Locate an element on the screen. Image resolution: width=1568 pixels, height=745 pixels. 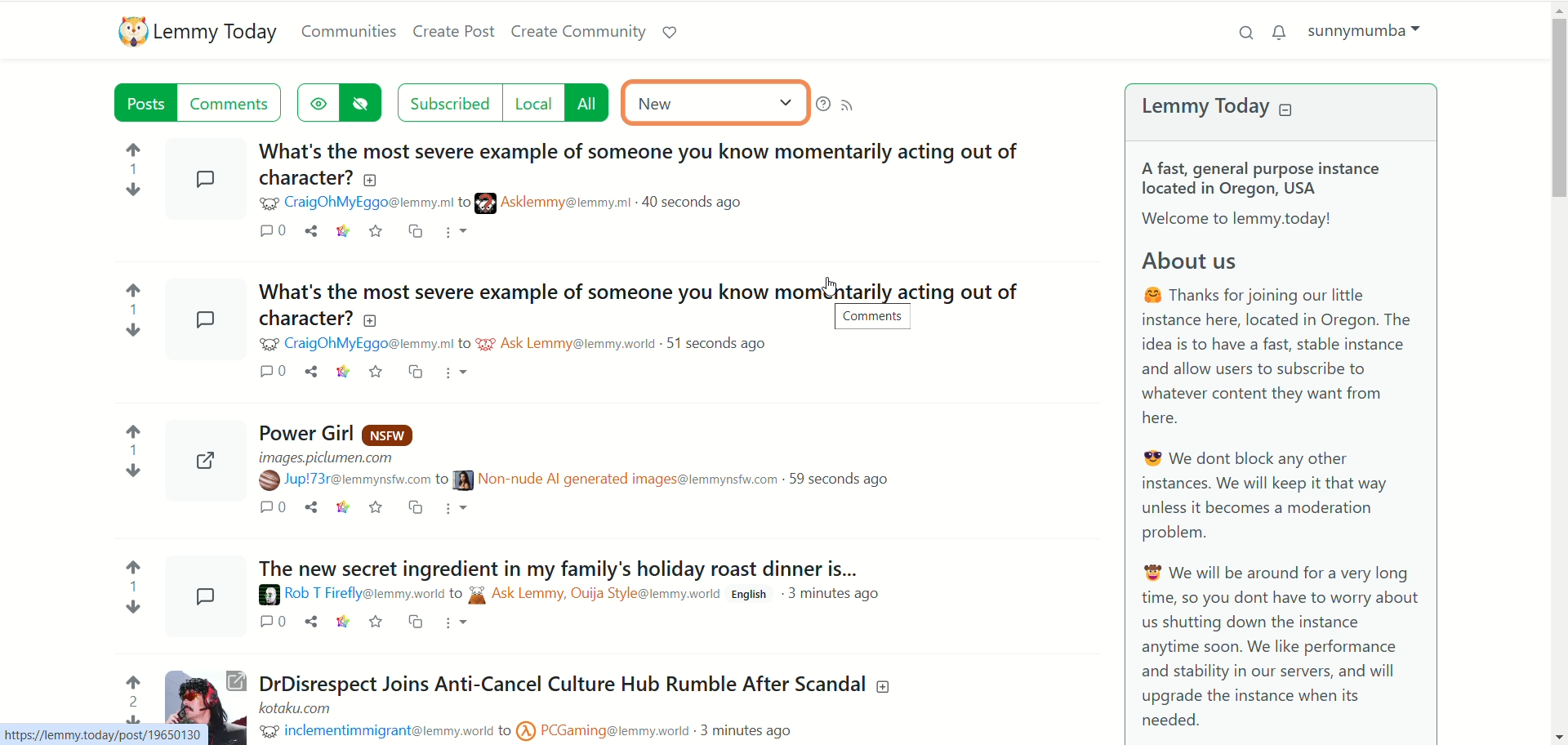
40 seconds ago is located at coordinates (697, 201).